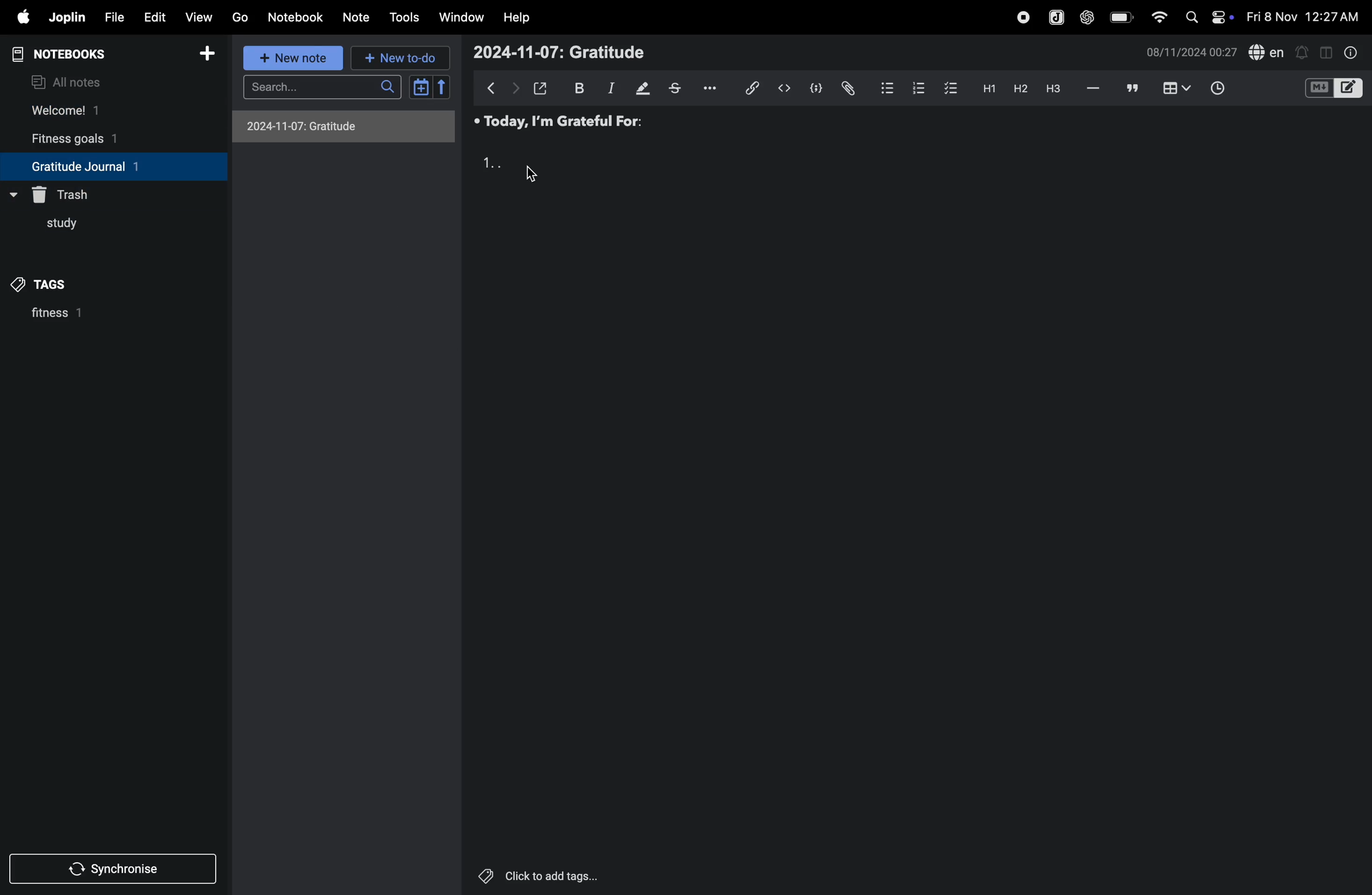 The width and height of the screenshot is (1372, 895). What do you see at coordinates (429, 87) in the screenshot?
I see `calendar` at bounding box center [429, 87].